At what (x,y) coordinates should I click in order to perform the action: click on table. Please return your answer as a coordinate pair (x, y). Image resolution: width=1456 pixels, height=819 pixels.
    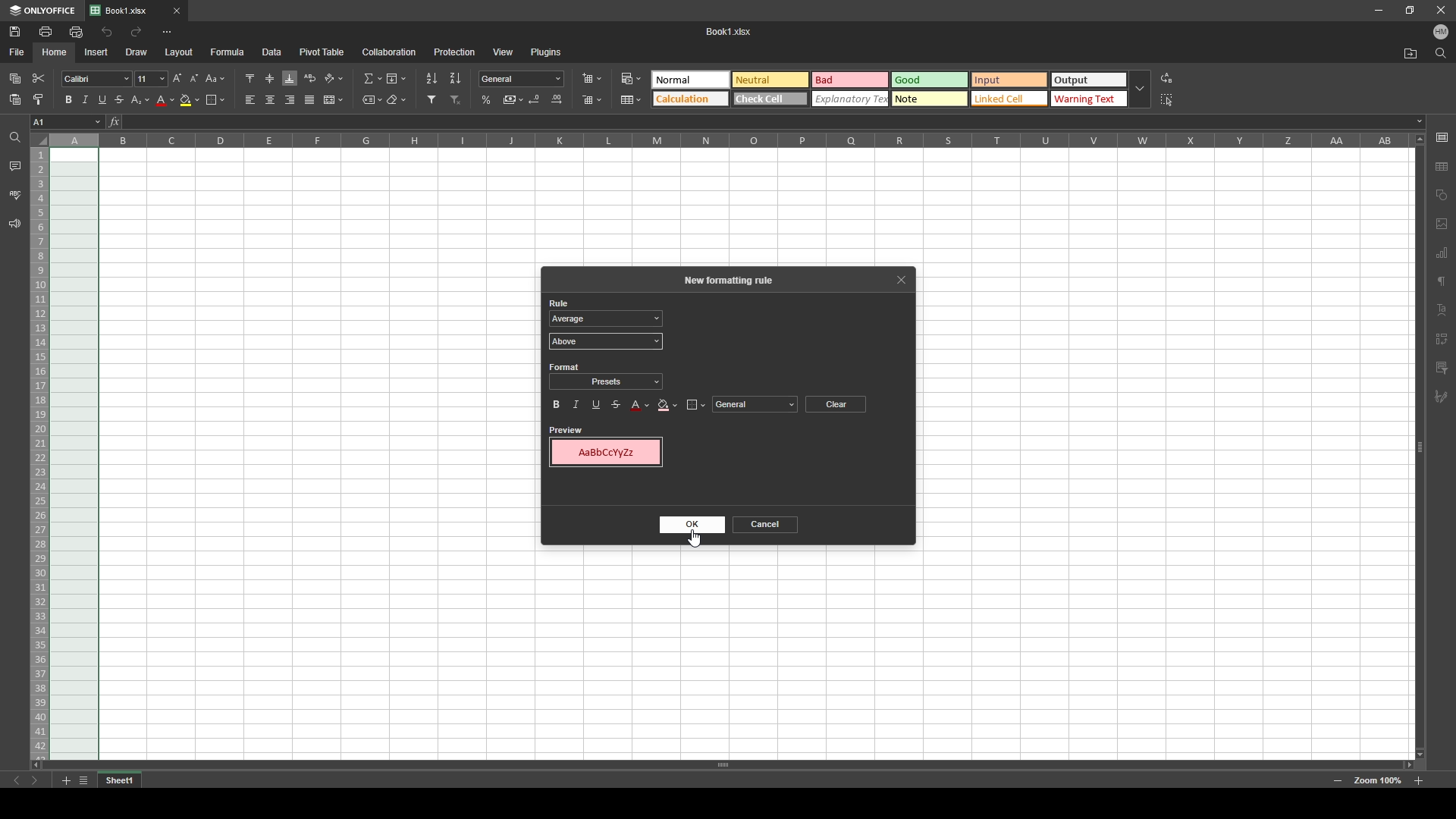
    Looking at the image, I should click on (1442, 167).